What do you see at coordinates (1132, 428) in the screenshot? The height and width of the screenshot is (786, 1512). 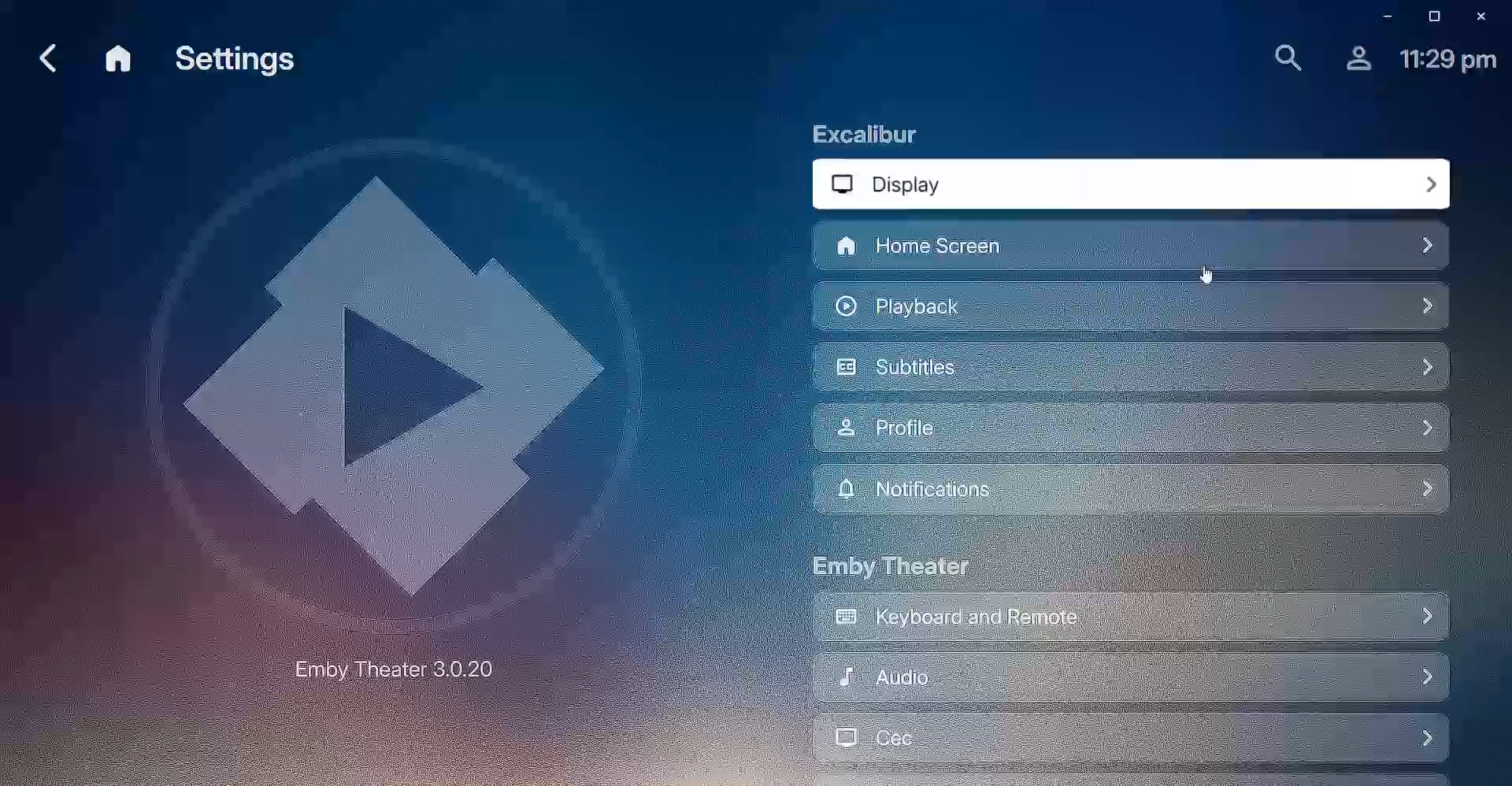 I see `Profile` at bounding box center [1132, 428].